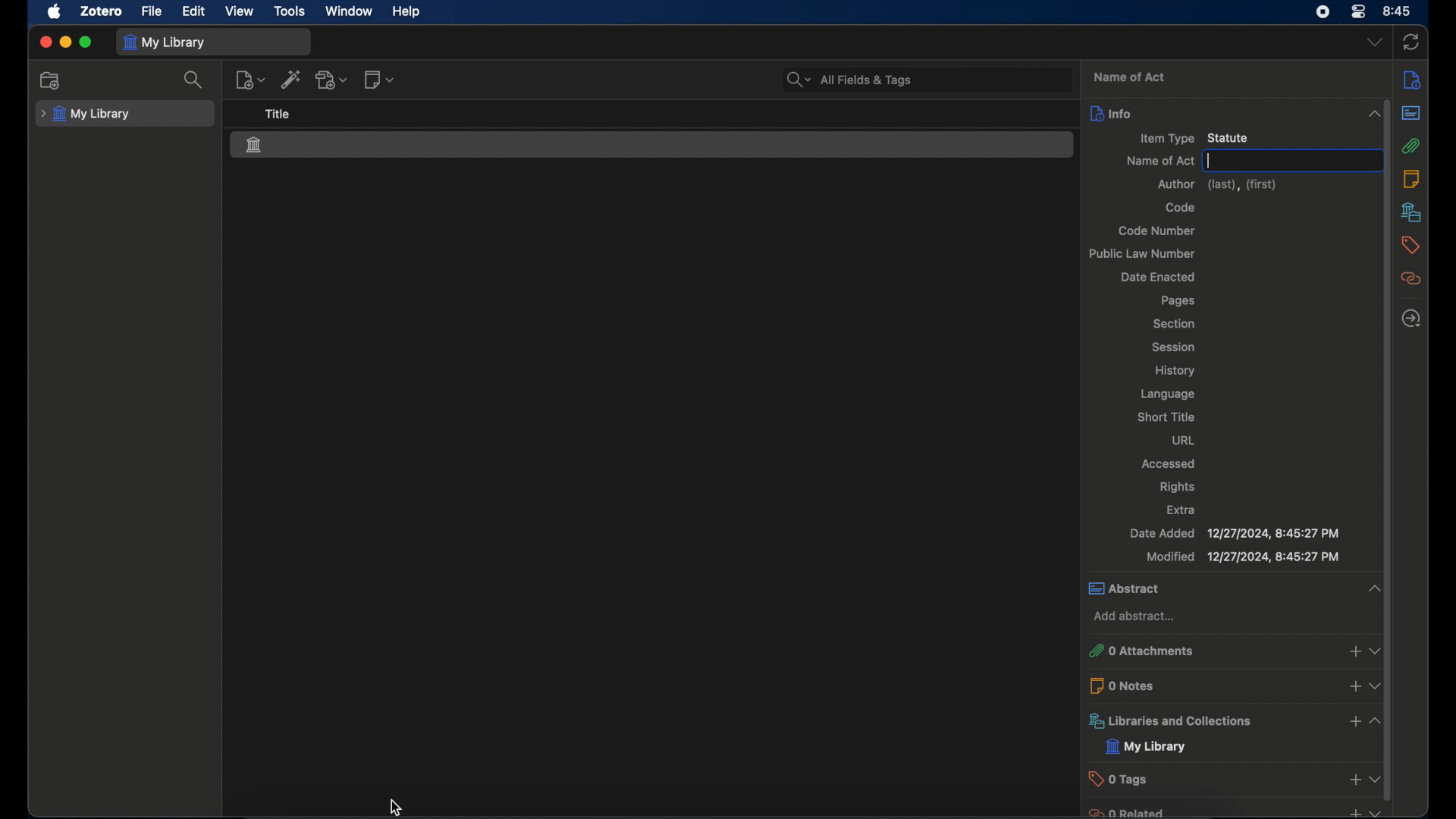 The image size is (1456, 819). What do you see at coordinates (1242, 557) in the screenshot?
I see `modified` at bounding box center [1242, 557].